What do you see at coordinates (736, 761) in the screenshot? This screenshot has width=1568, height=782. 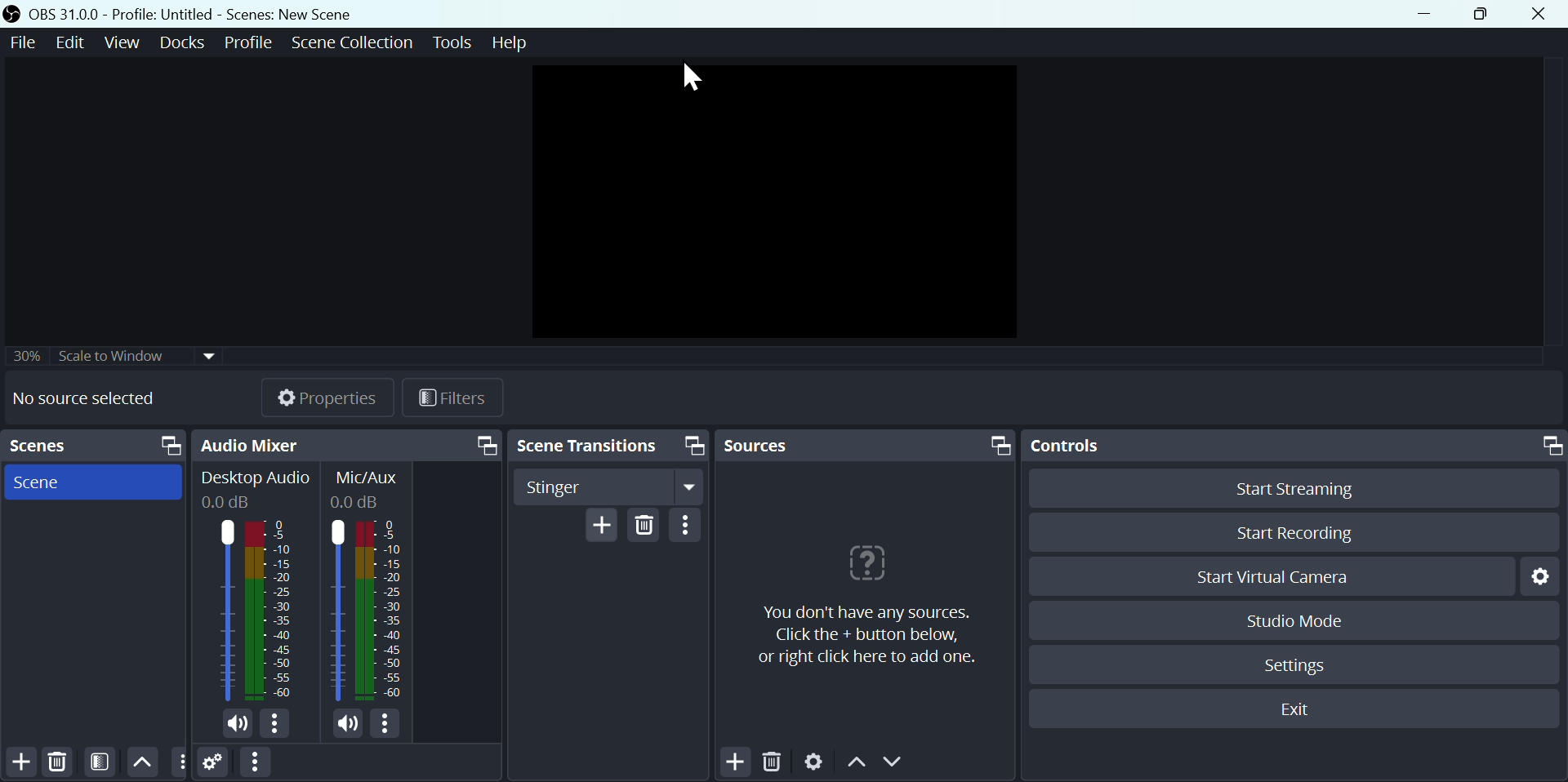 I see `Add` at bounding box center [736, 761].